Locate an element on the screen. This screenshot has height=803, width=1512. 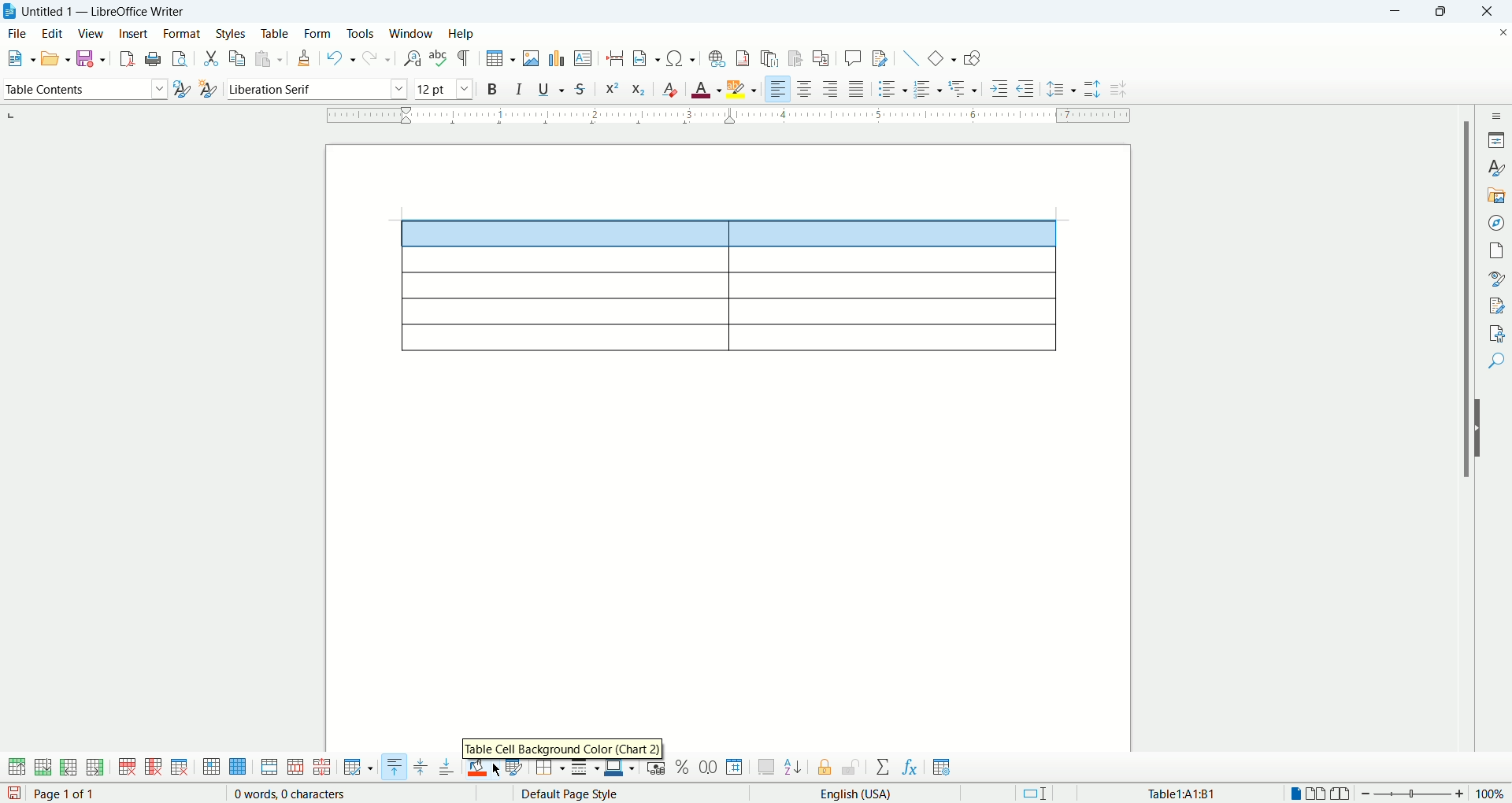
optimize size is located at coordinates (359, 768).